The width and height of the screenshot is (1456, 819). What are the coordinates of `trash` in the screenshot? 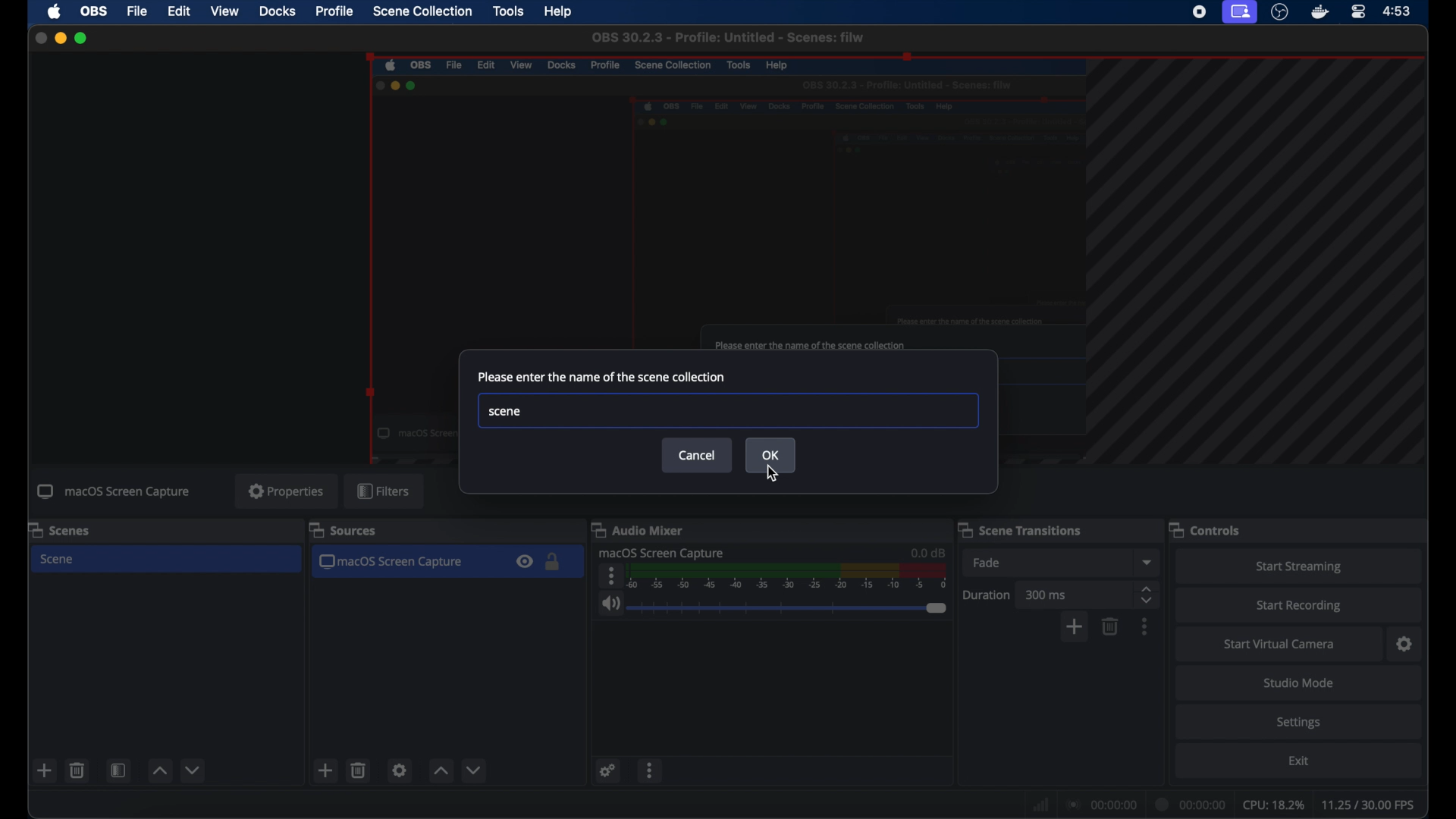 It's located at (77, 770).